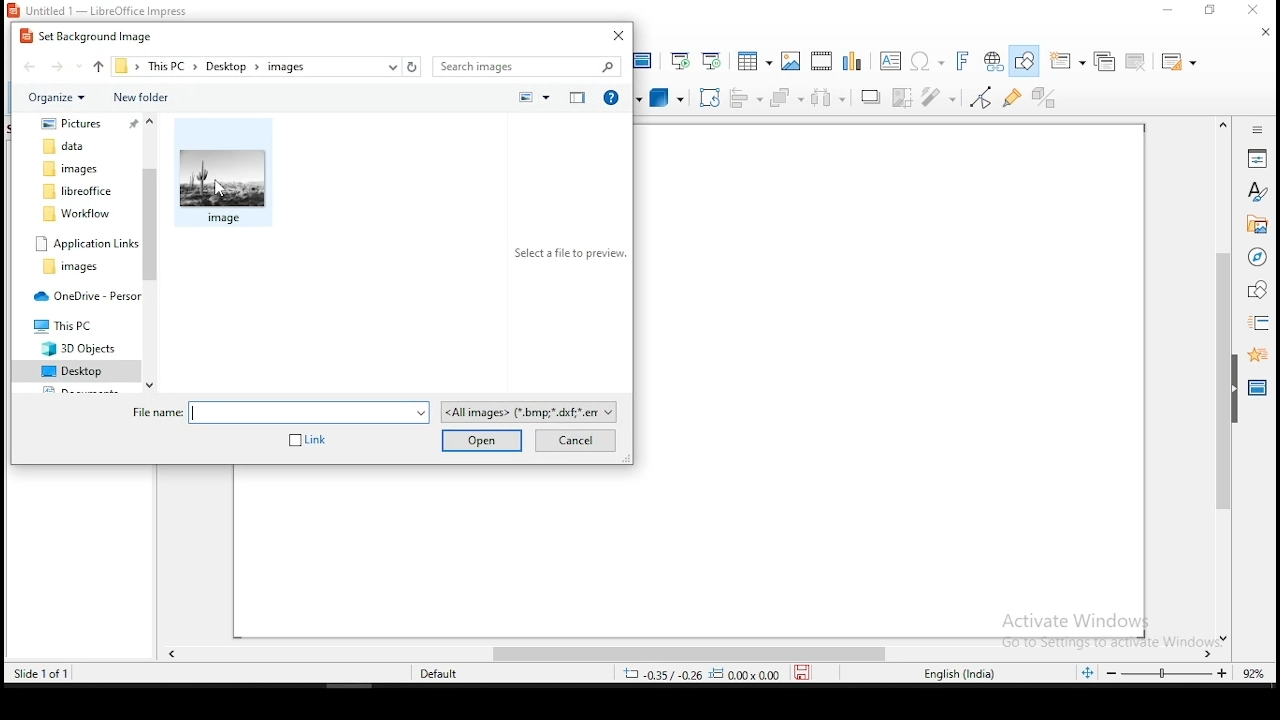 This screenshot has width=1280, height=720. What do you see at coordinates (107, 11) in the screenshot?
I see `icon and filename` at bounding box center [107, 11].